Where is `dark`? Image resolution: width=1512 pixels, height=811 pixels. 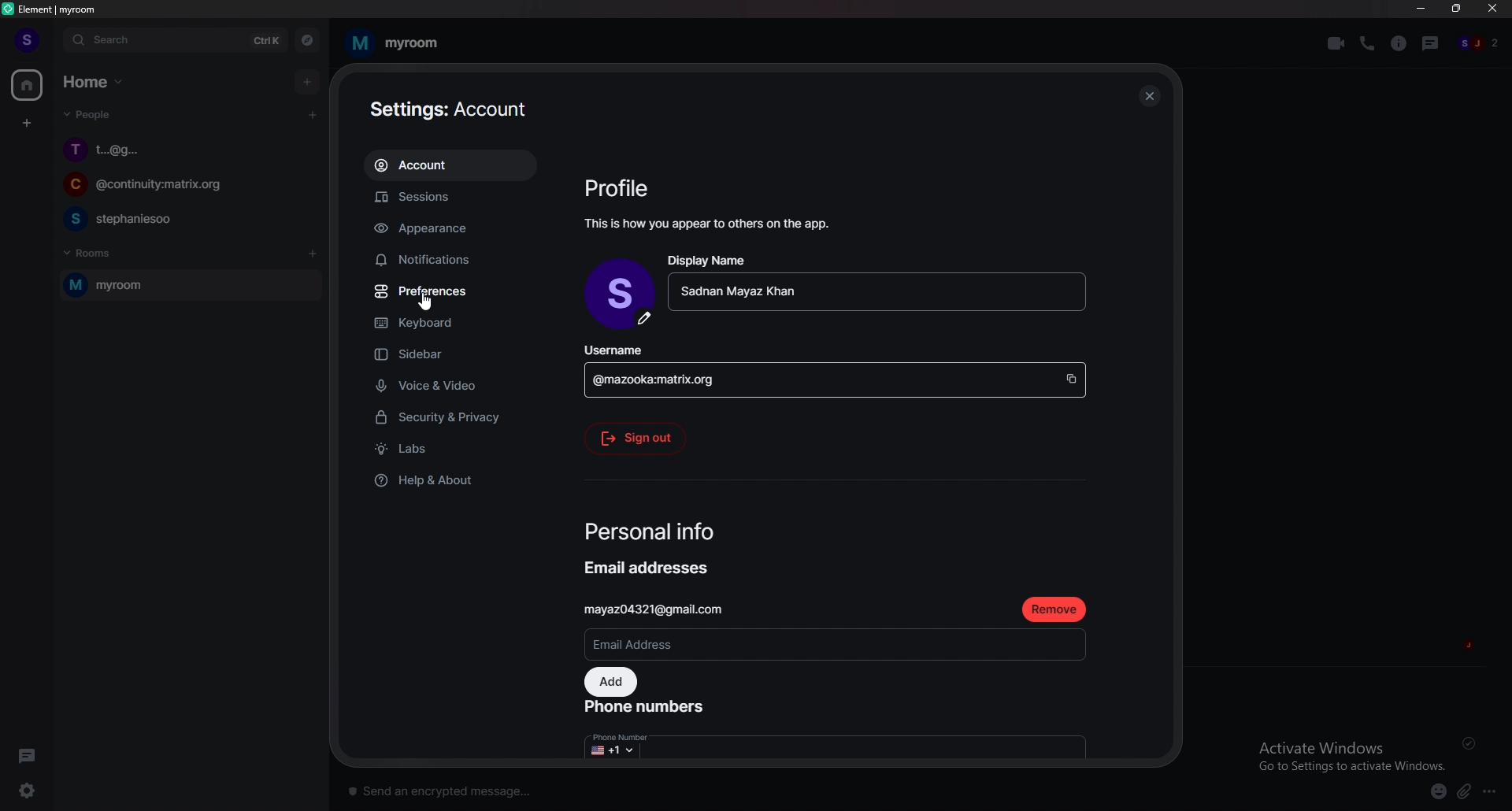 dark is located at coordinates (31, 755).